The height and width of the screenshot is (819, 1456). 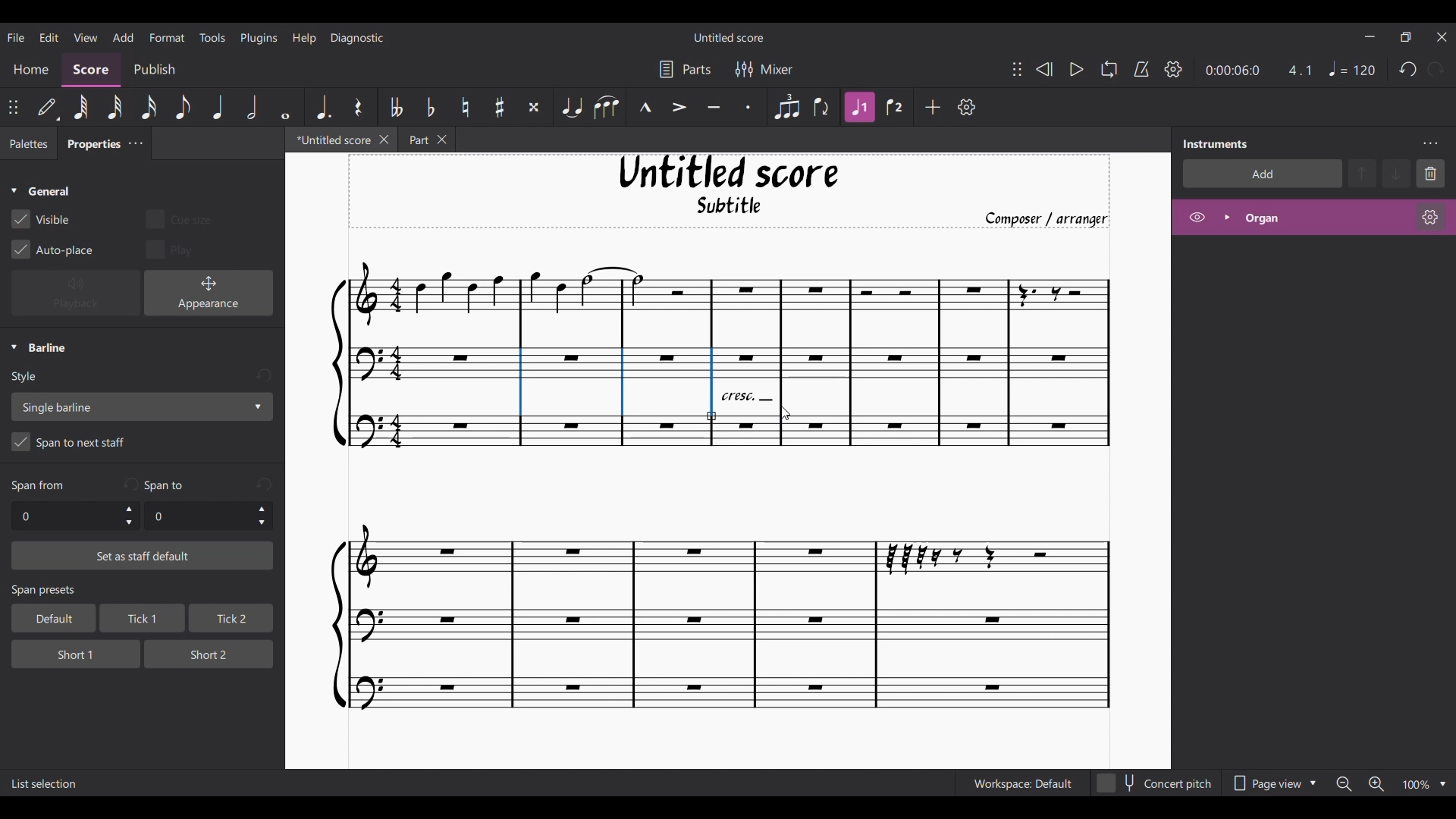 What do you see at coordinates (64, 652) in the screenshot?
I see `short 1` at bounding box center [64, 652].